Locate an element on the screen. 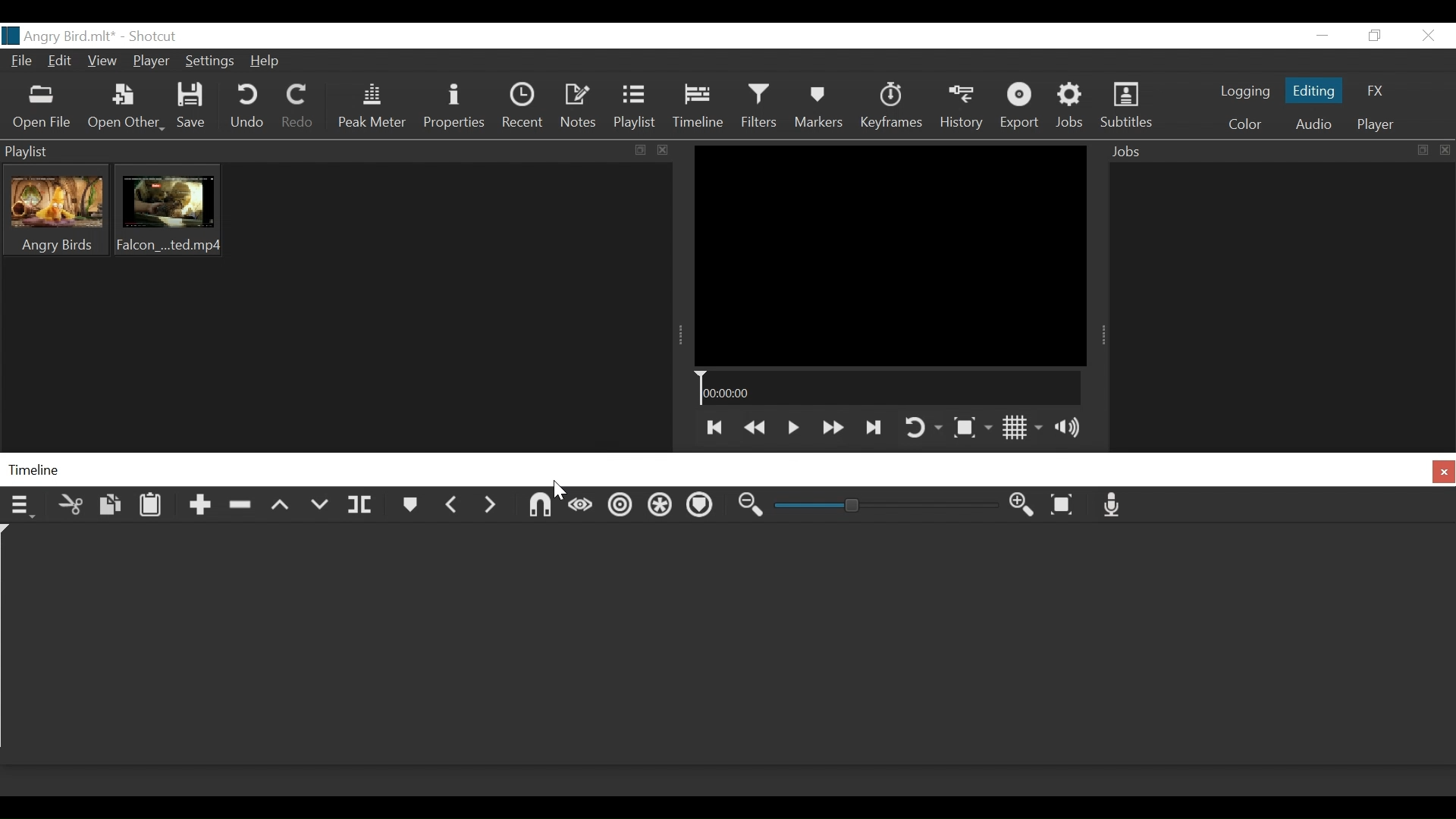 Image resolution: width=1456 pixels, height=819 pixels. History is located at coordinates (961, 106).